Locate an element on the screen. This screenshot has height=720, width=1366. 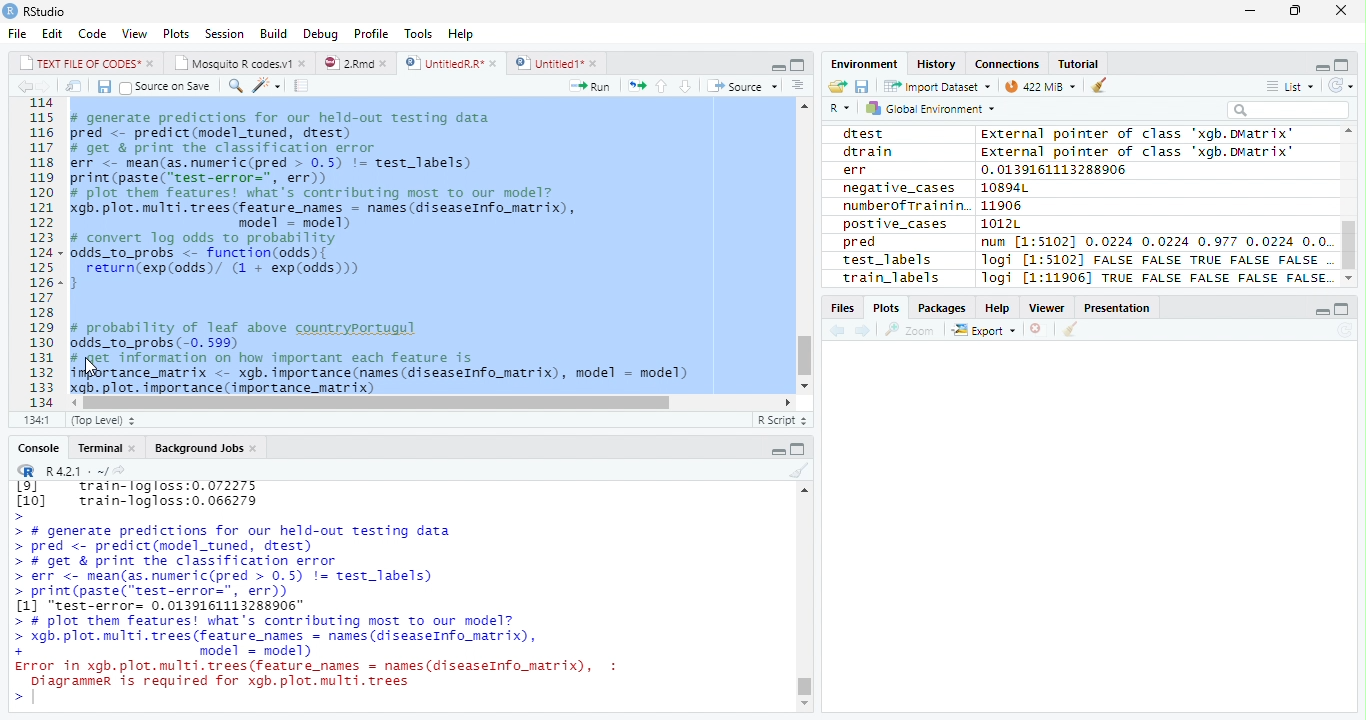
View is located at coordinates (134, 34).